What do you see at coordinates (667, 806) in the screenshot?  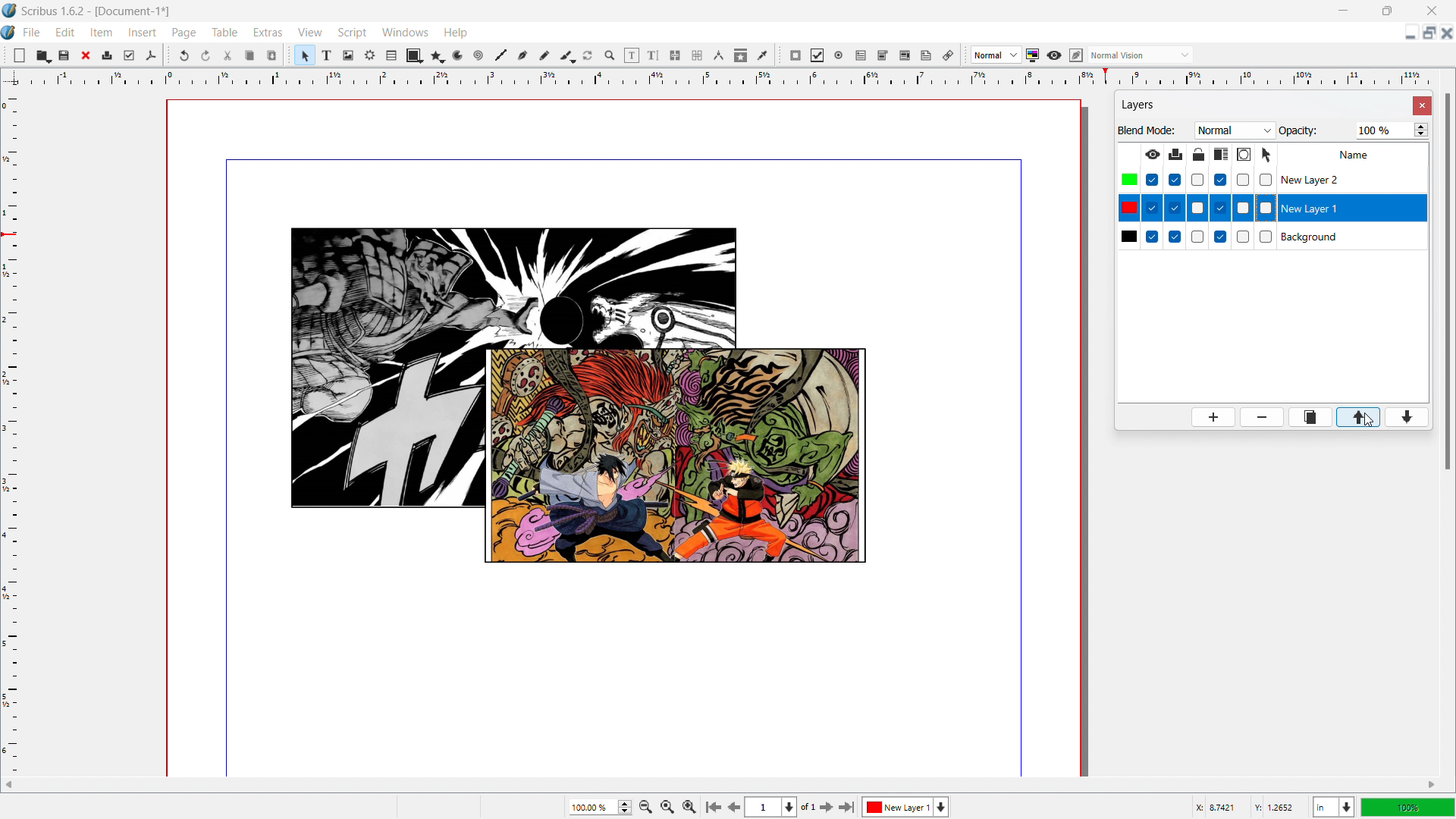 I see `zoom to 1005` at bounding box center [667, 806].